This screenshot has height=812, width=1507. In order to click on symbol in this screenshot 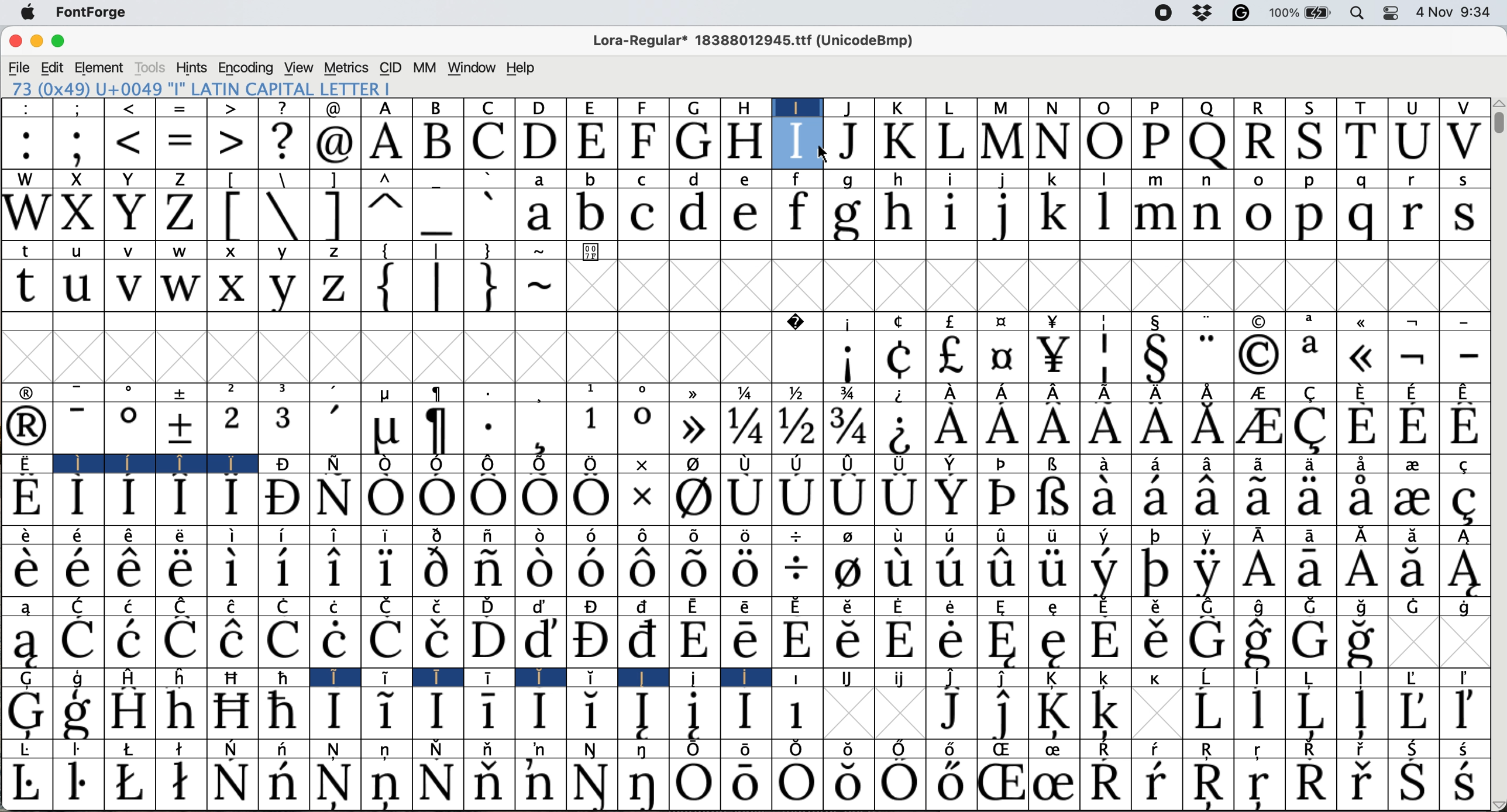, I will do `click(694, 393)`.